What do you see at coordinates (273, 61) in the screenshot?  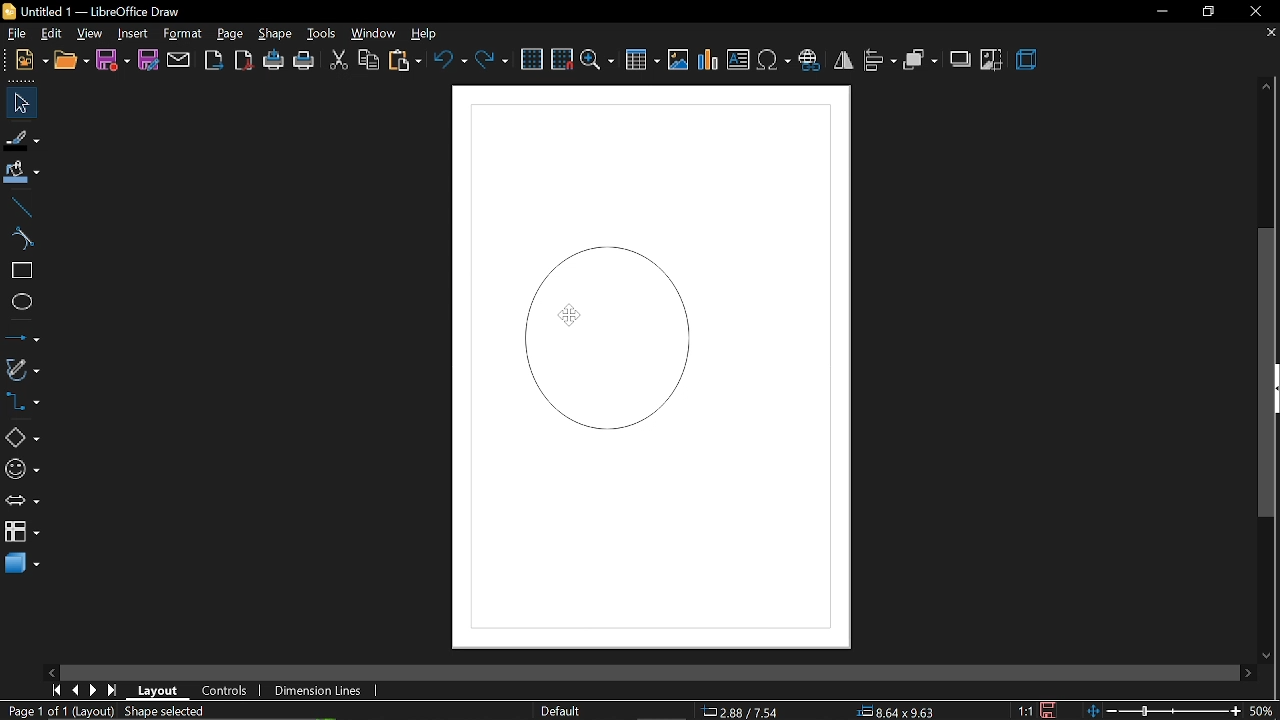 I see `print directly` at bounding box center [273, 61].